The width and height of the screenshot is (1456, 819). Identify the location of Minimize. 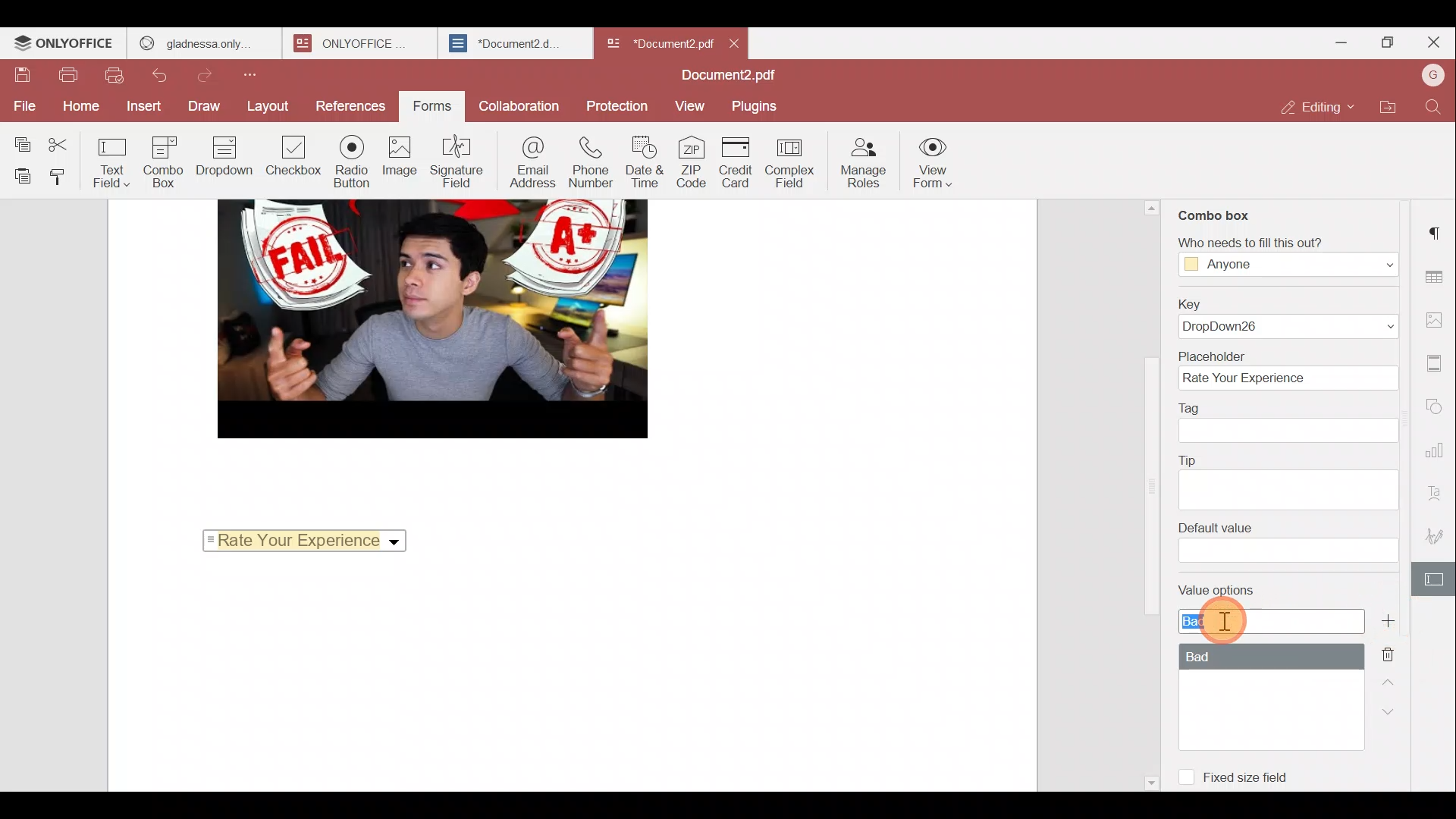
(1329, 45).